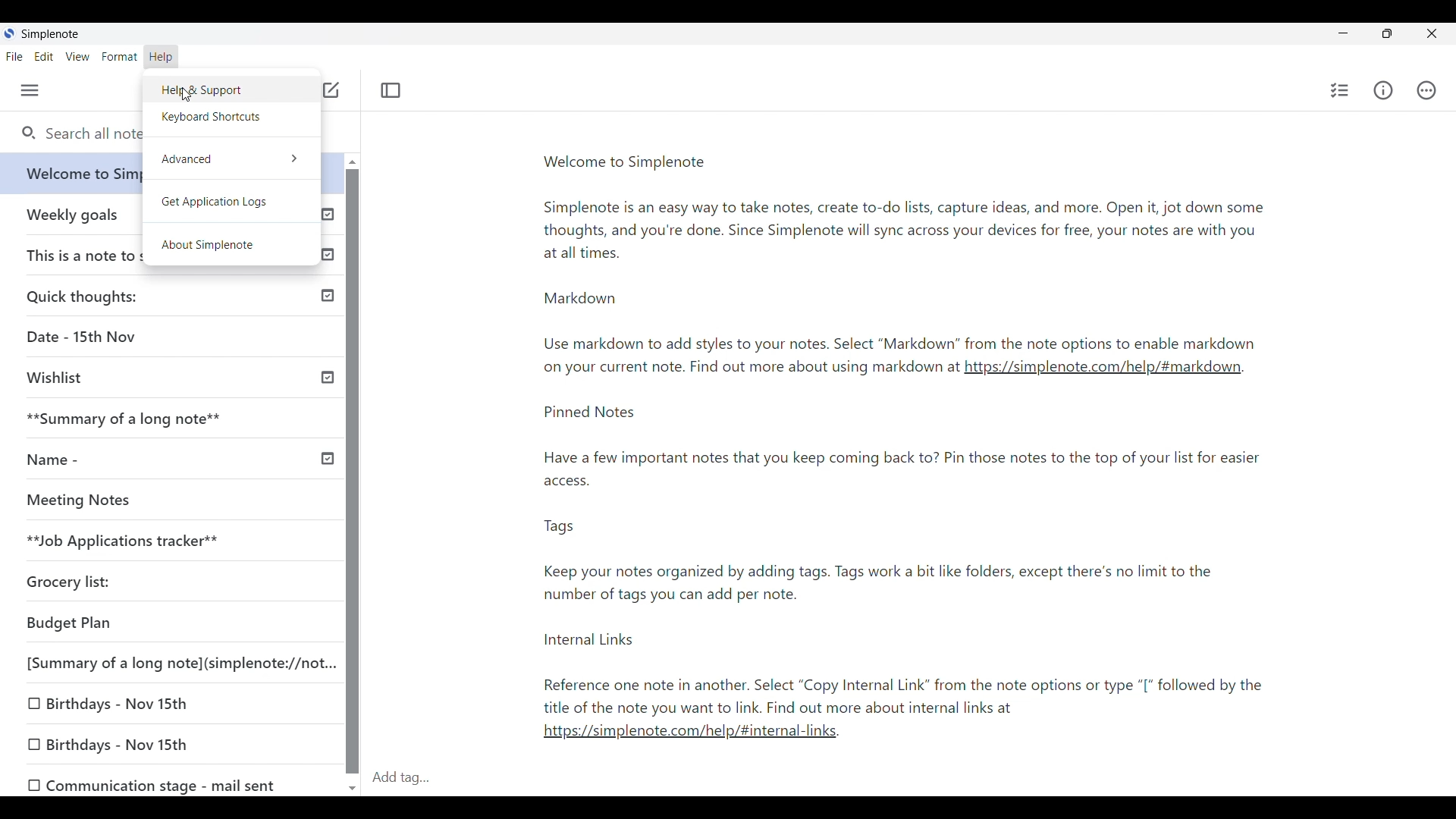 Image resolution: width=1456 pixels, height=819 pixels. What do you see at coordinates (78, 57) in the screenshot?
I see `View menu` at bounding box center [78, 57].